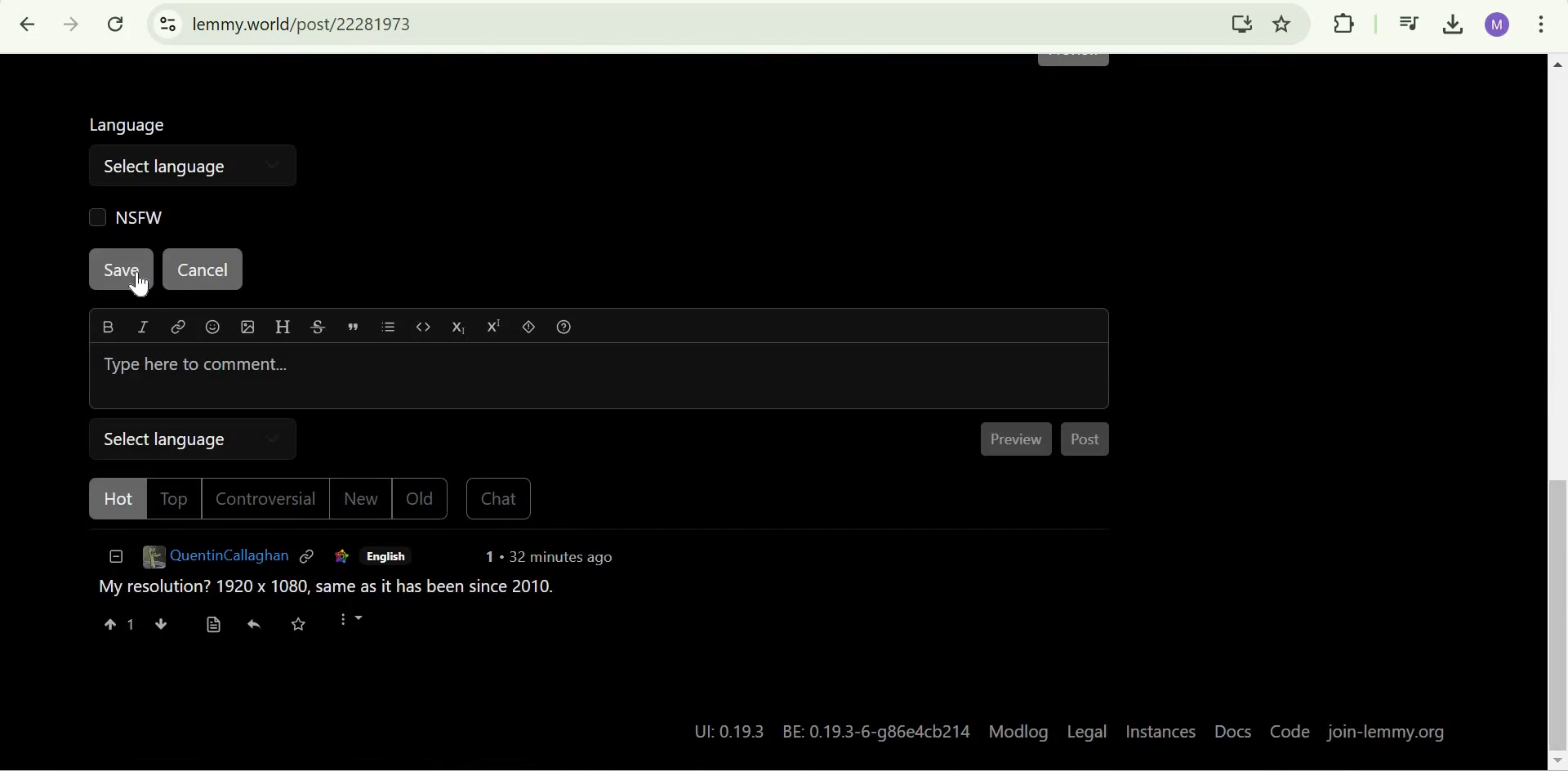  Describe the element at coordinates (1541, 27) in the screenshot. I see `customize and control google chrome` at that location.